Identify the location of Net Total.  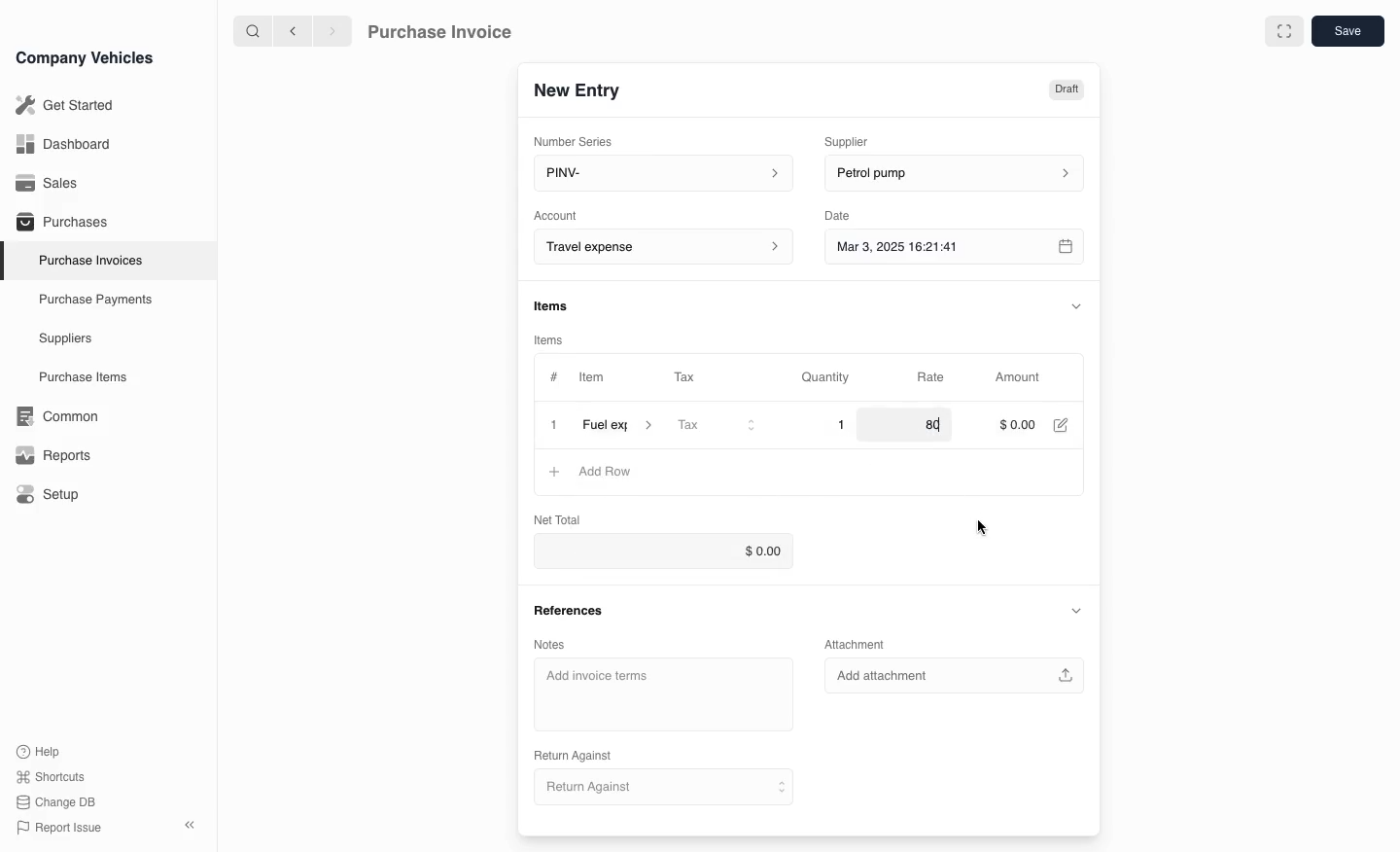
(554, 518).